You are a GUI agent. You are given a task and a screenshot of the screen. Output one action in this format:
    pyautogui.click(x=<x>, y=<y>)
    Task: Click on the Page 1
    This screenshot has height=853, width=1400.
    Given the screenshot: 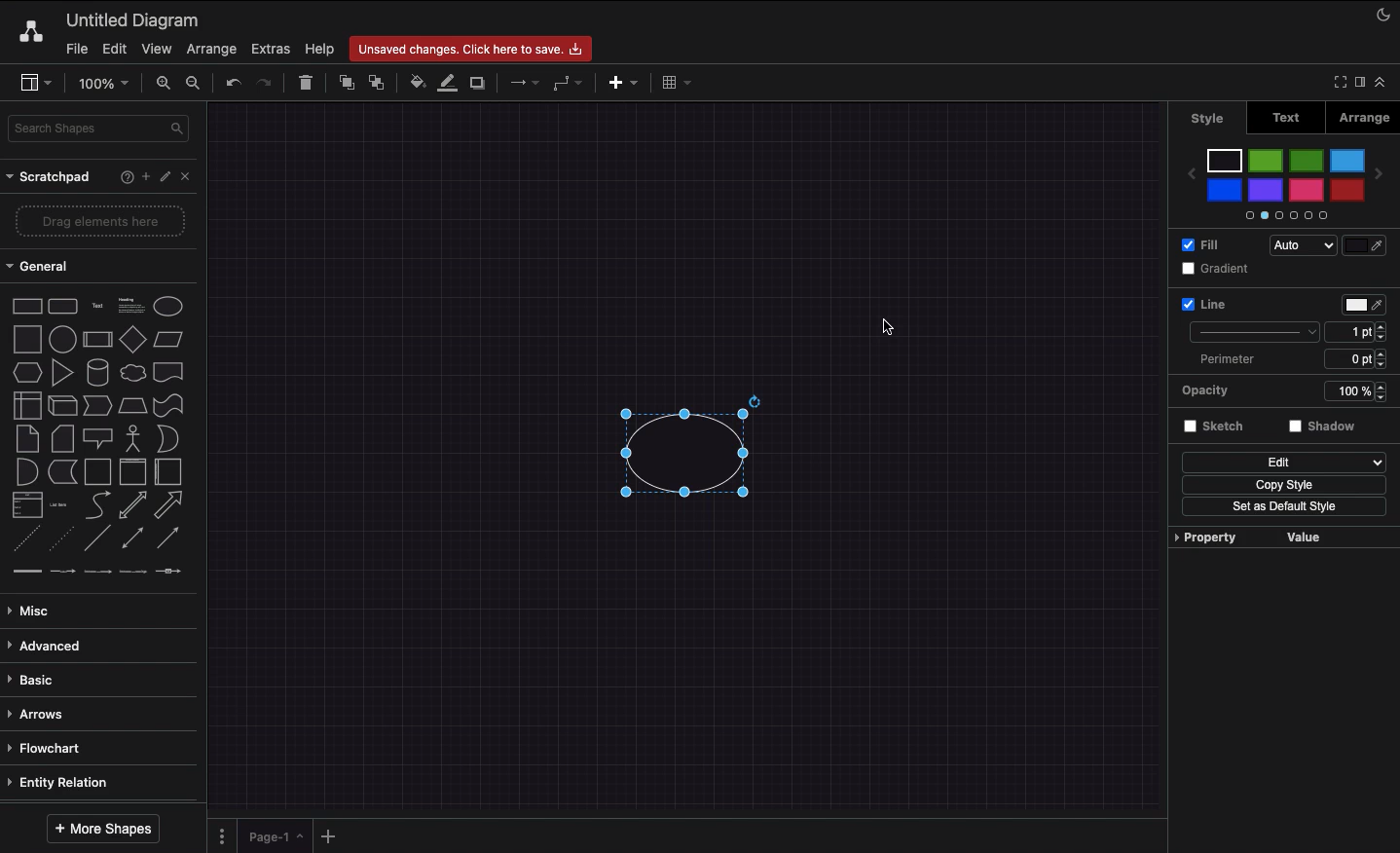 What is the action you would take?
    pyautogui.click(x=273, y=834)
    